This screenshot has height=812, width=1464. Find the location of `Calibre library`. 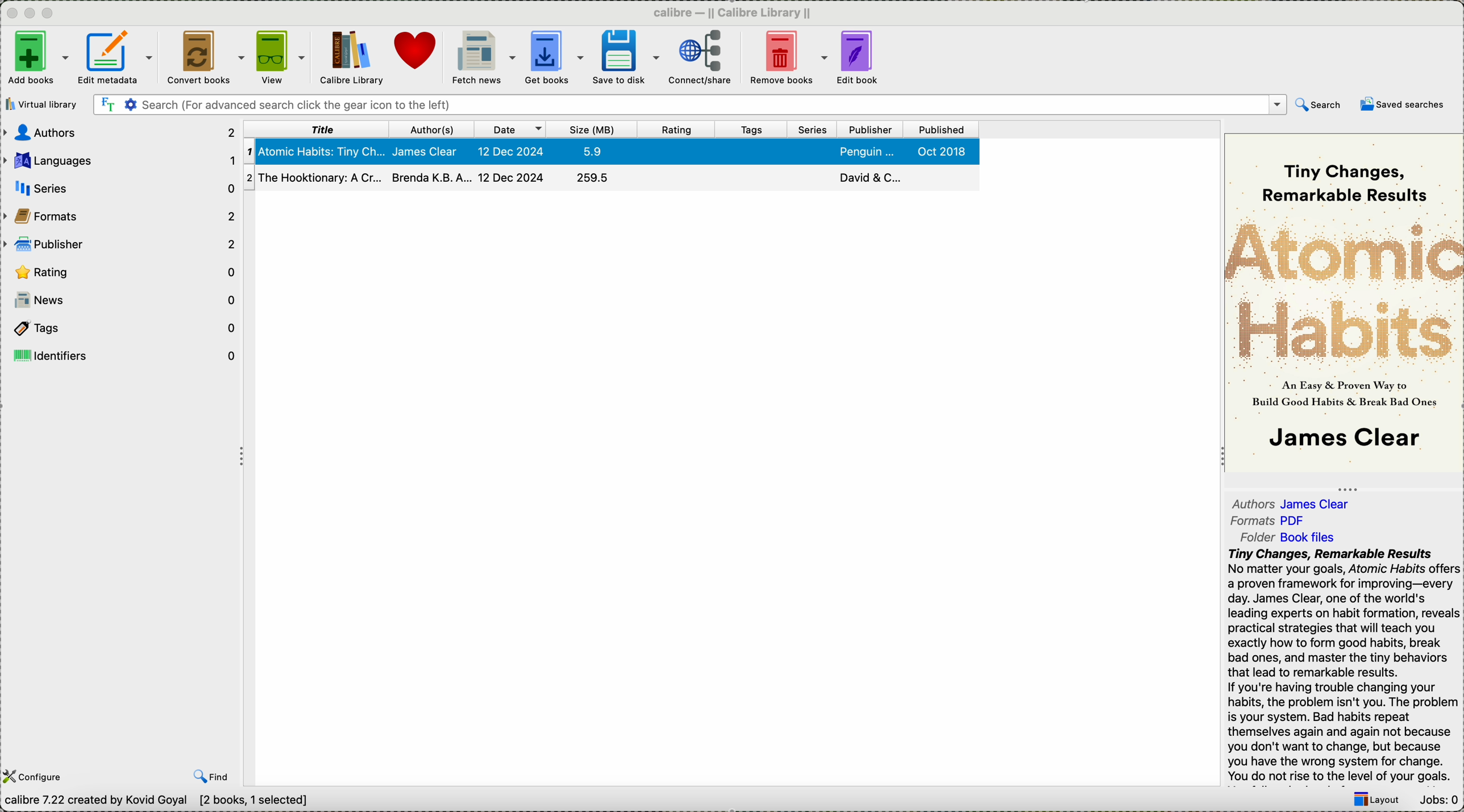

Calibre library is located at coordinates (350, 56).